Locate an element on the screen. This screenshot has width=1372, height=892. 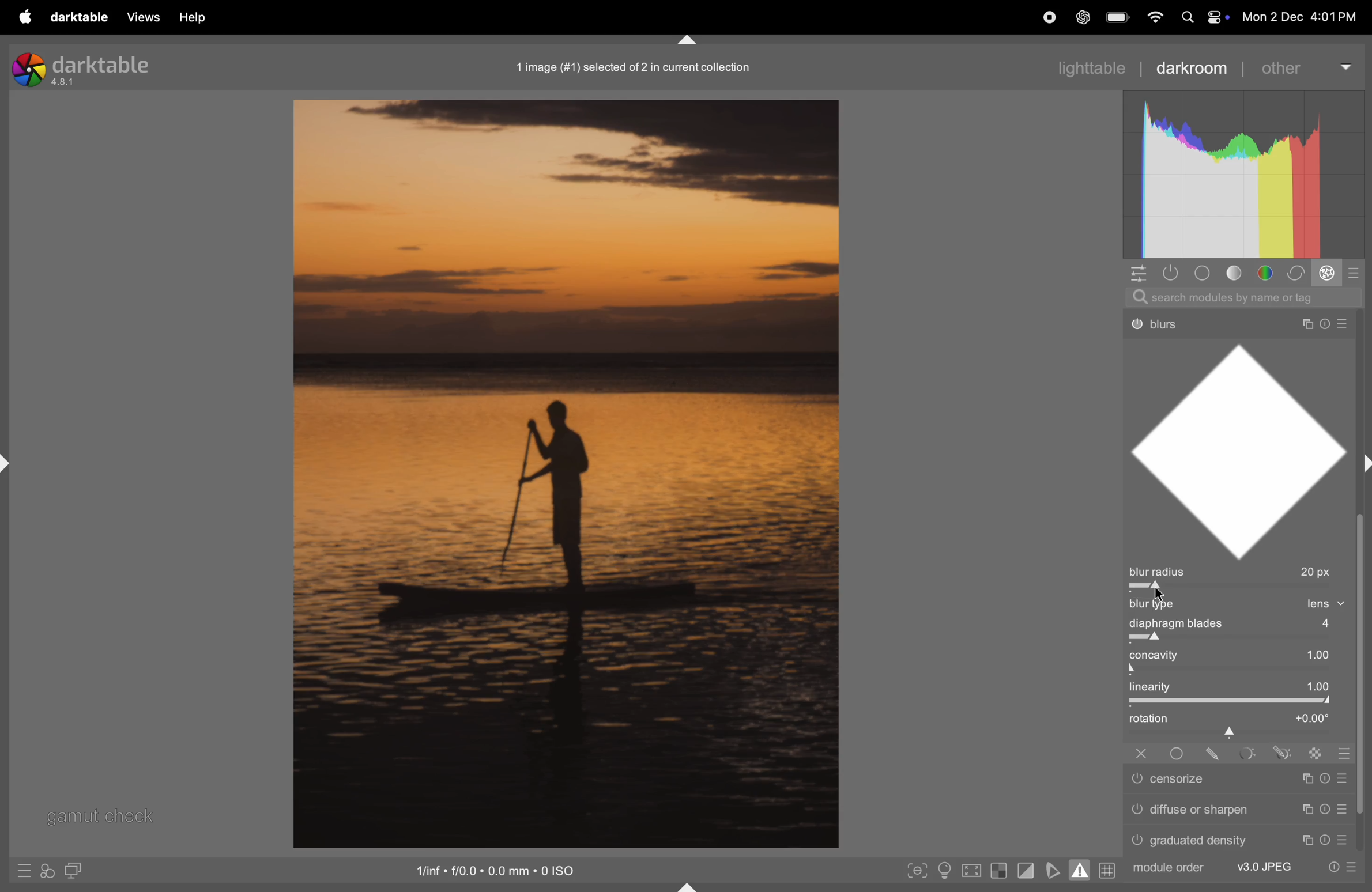
darkroom is located at coordinates (1193, 67).